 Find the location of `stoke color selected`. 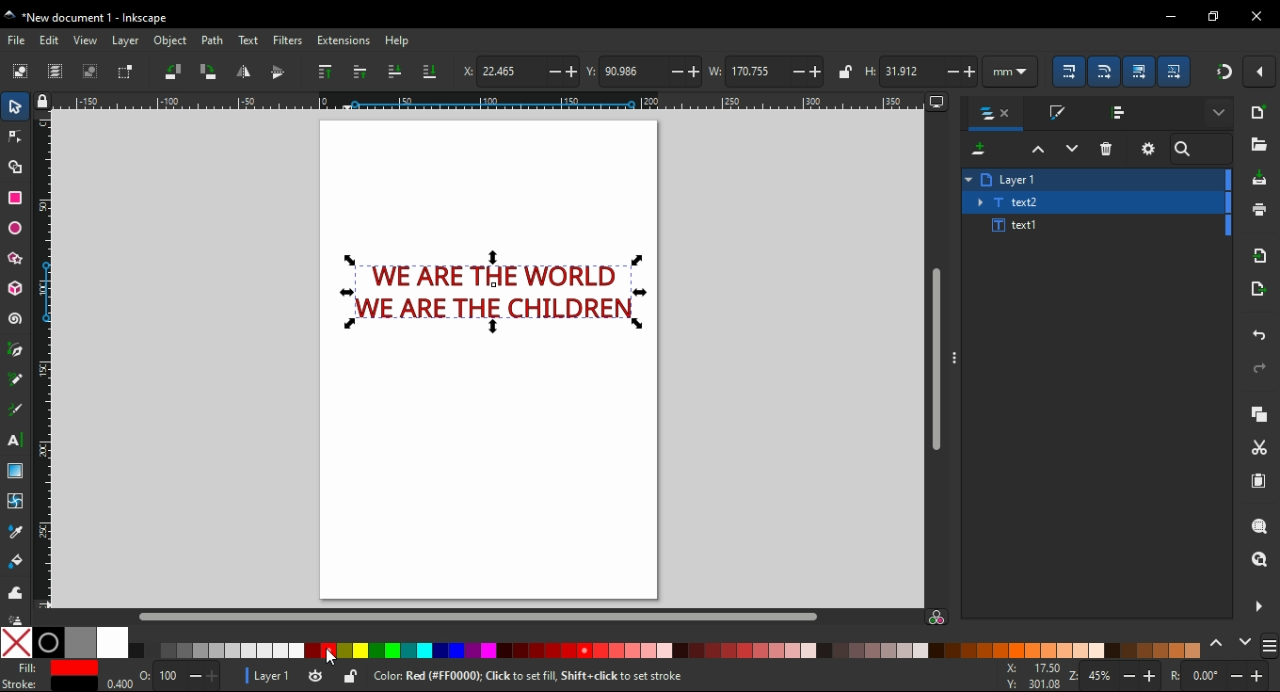

stoke color selected is located at coordinates (48, 685).